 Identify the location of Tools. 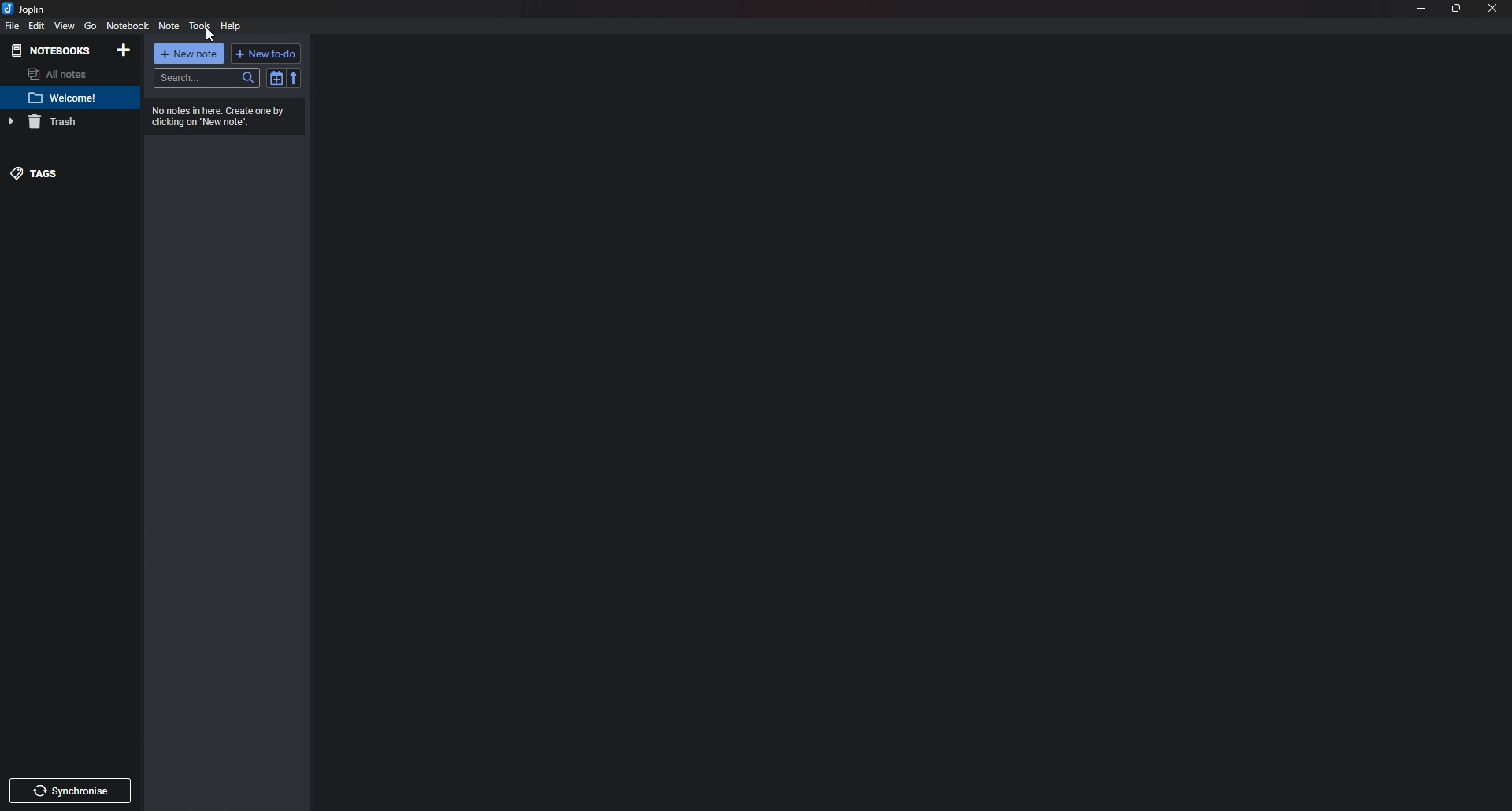
(200, 26).